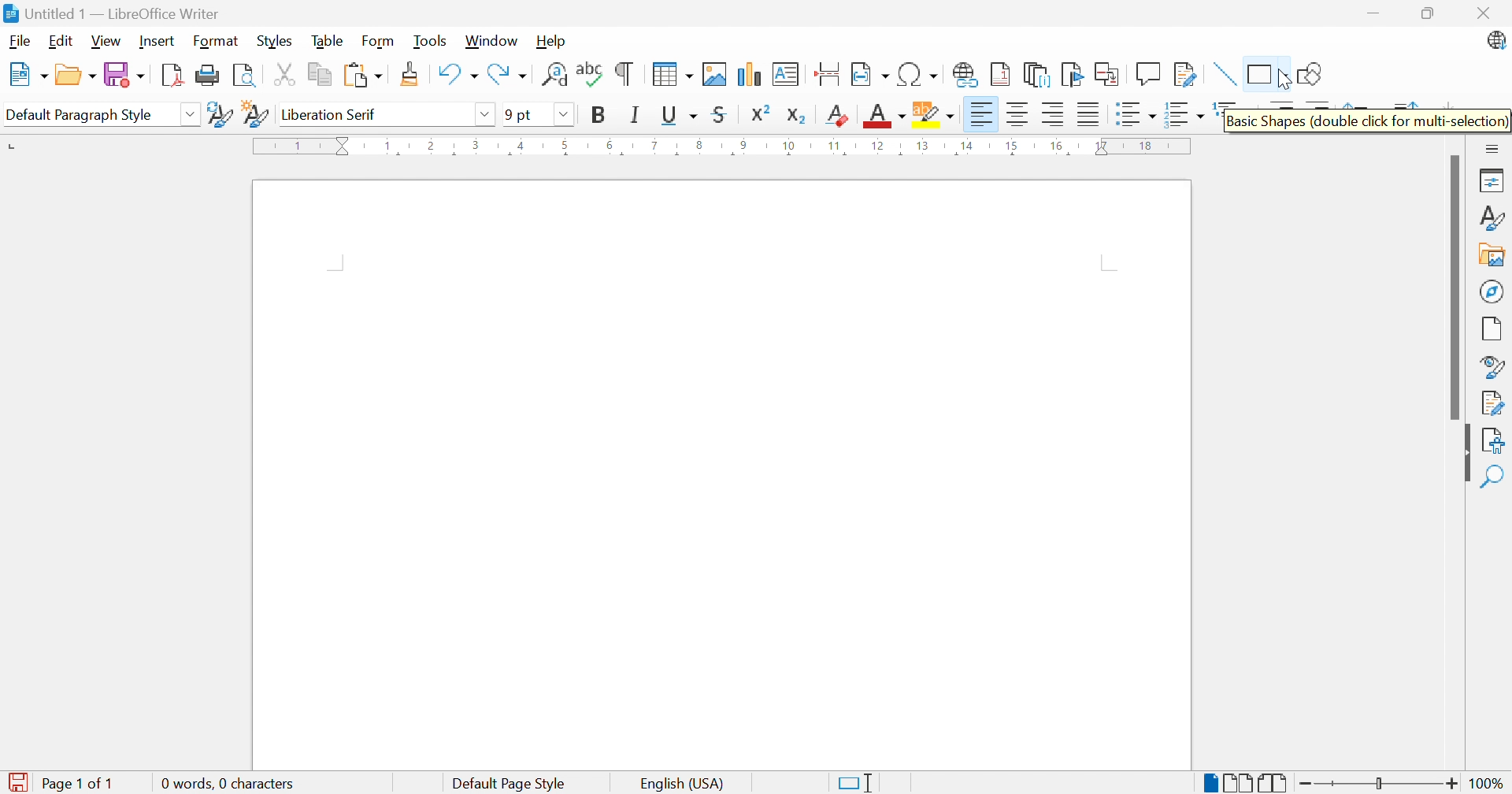  Describe the element at coordinates (1314, 71) in the screenshot. I see `Sow draw functions` at that location.